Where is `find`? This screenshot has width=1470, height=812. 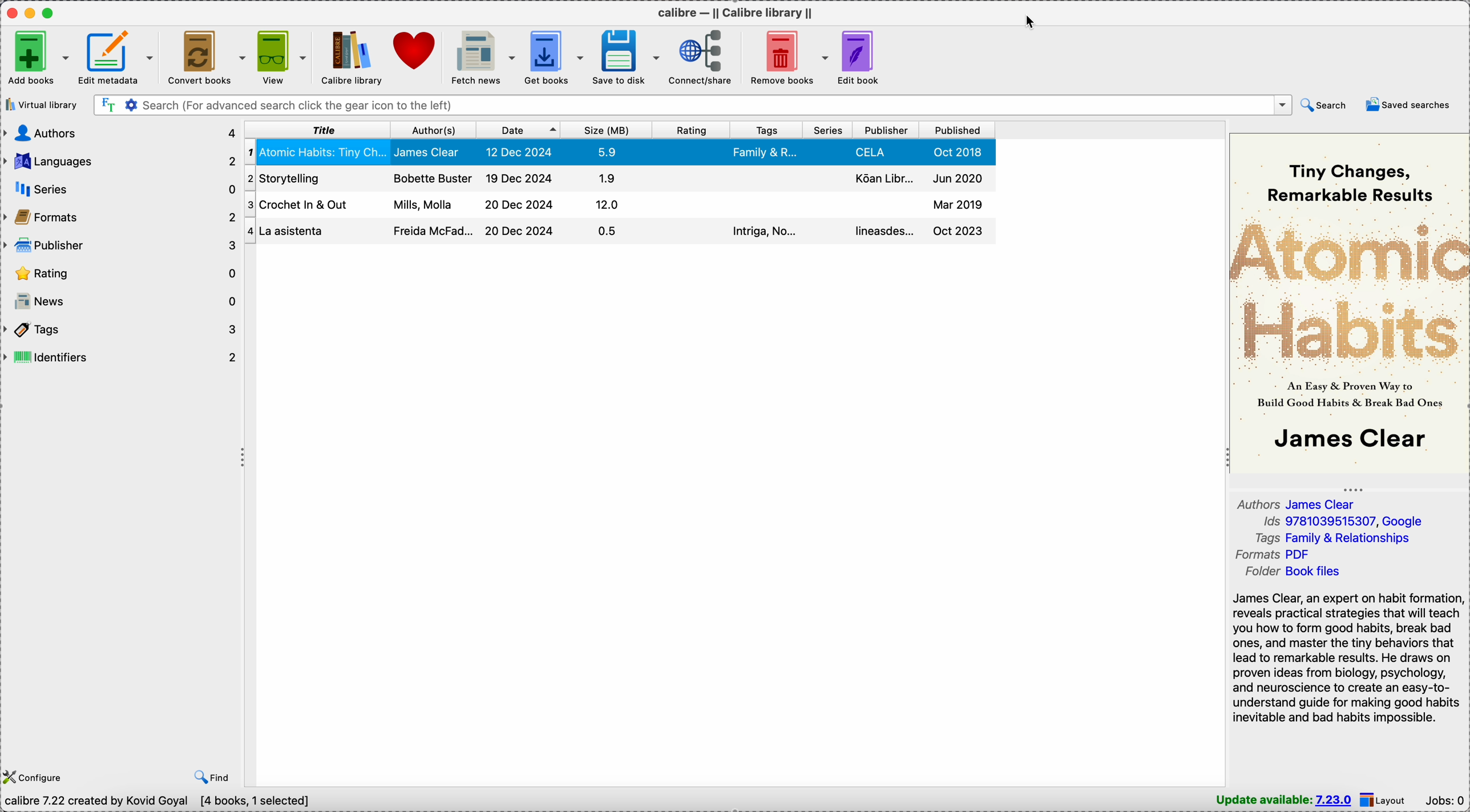 find is located at coordinates (209, 776).